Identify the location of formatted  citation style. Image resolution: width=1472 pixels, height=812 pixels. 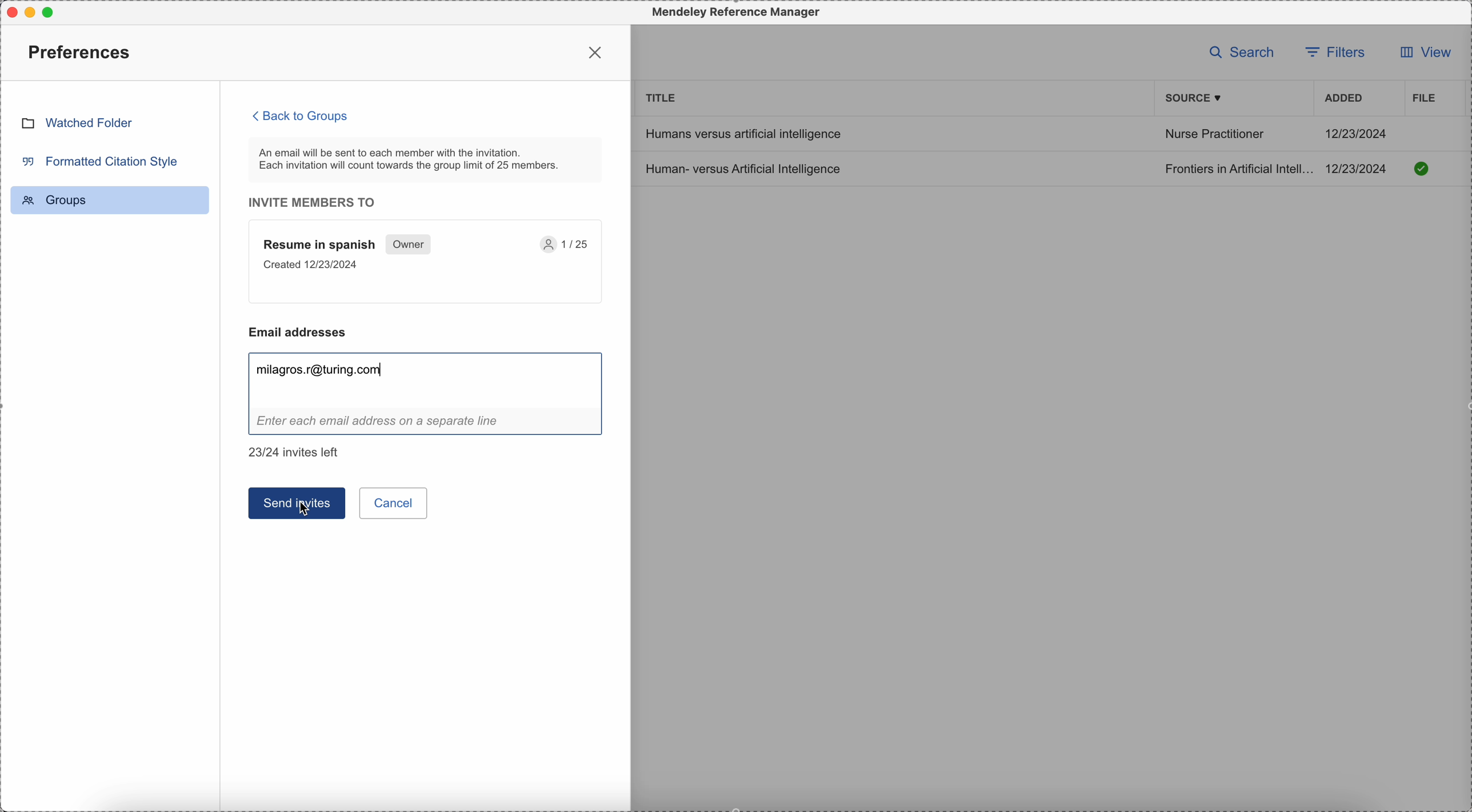
(98, 161).